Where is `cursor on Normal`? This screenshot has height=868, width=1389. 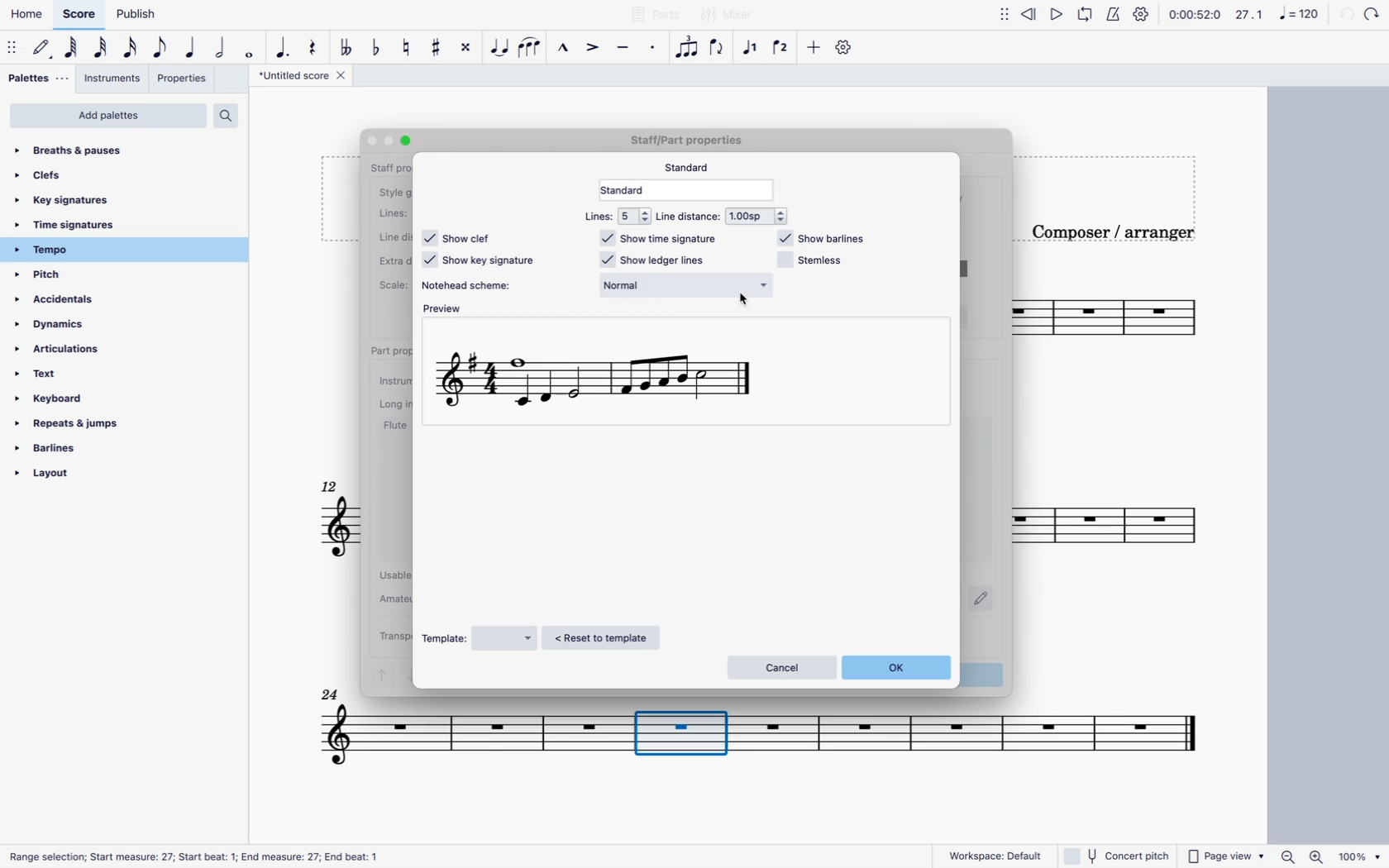 cursor on Normal is located at coordinates (746, 297).